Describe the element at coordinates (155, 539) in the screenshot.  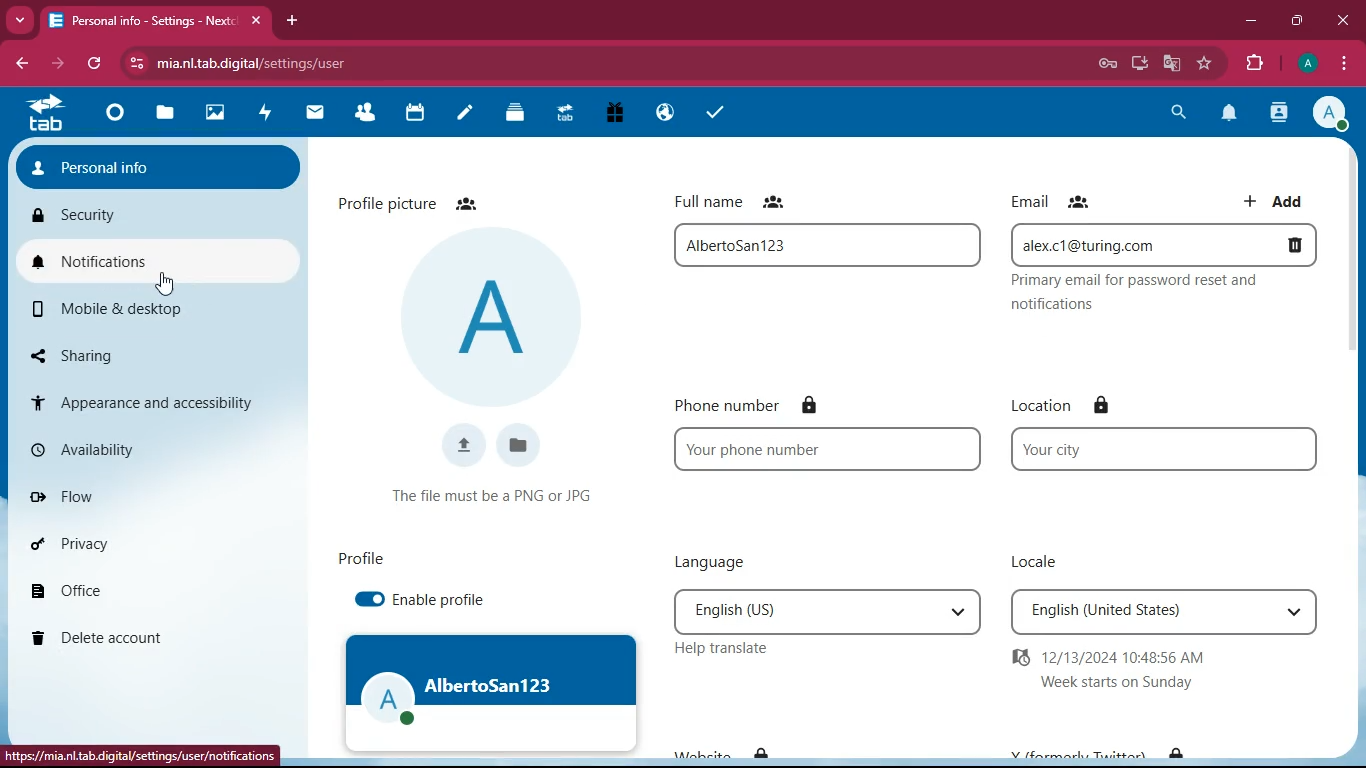
I see `privacy` at that location.